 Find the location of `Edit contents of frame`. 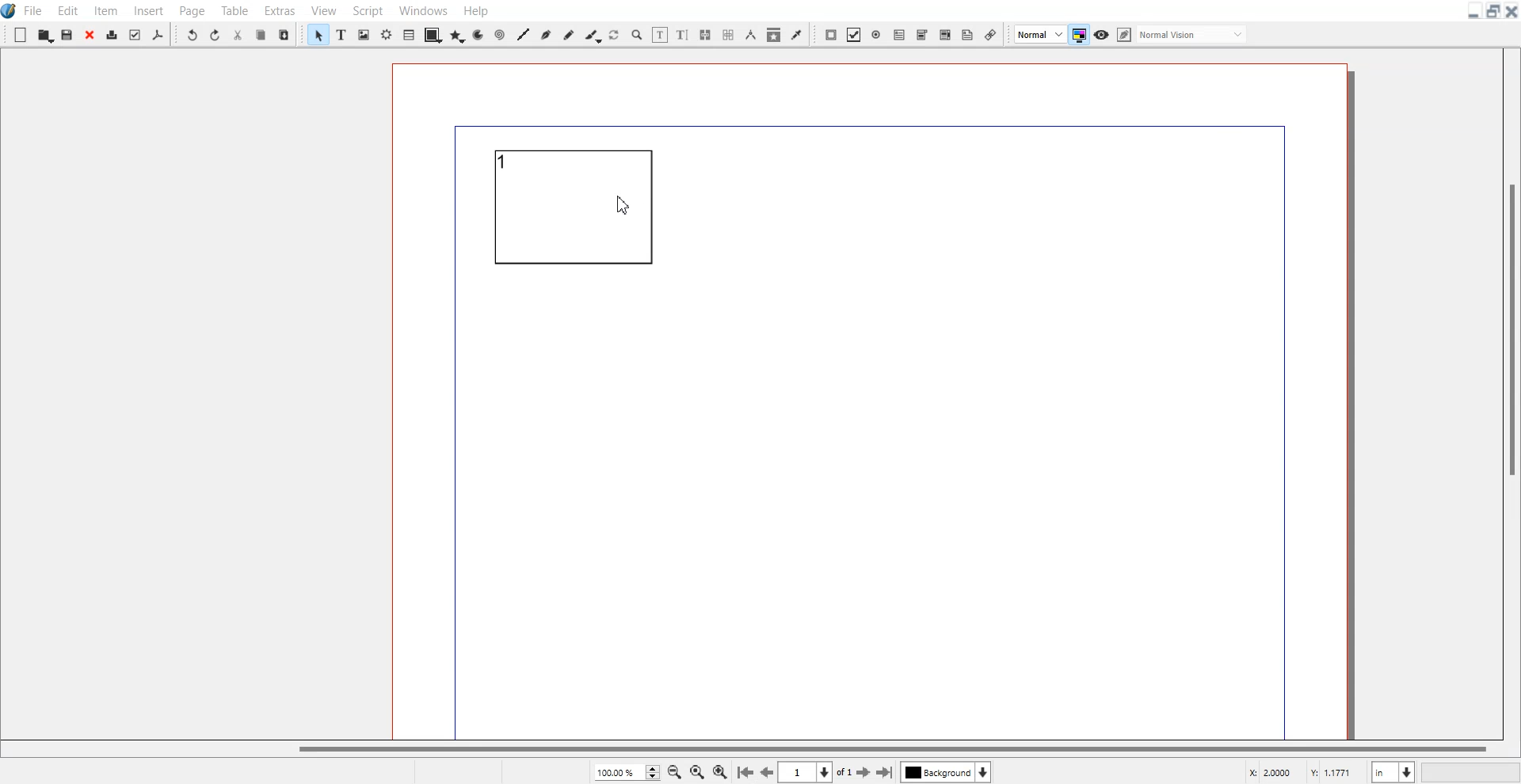

Edit contents of frame is located at coordinates (661, 35).